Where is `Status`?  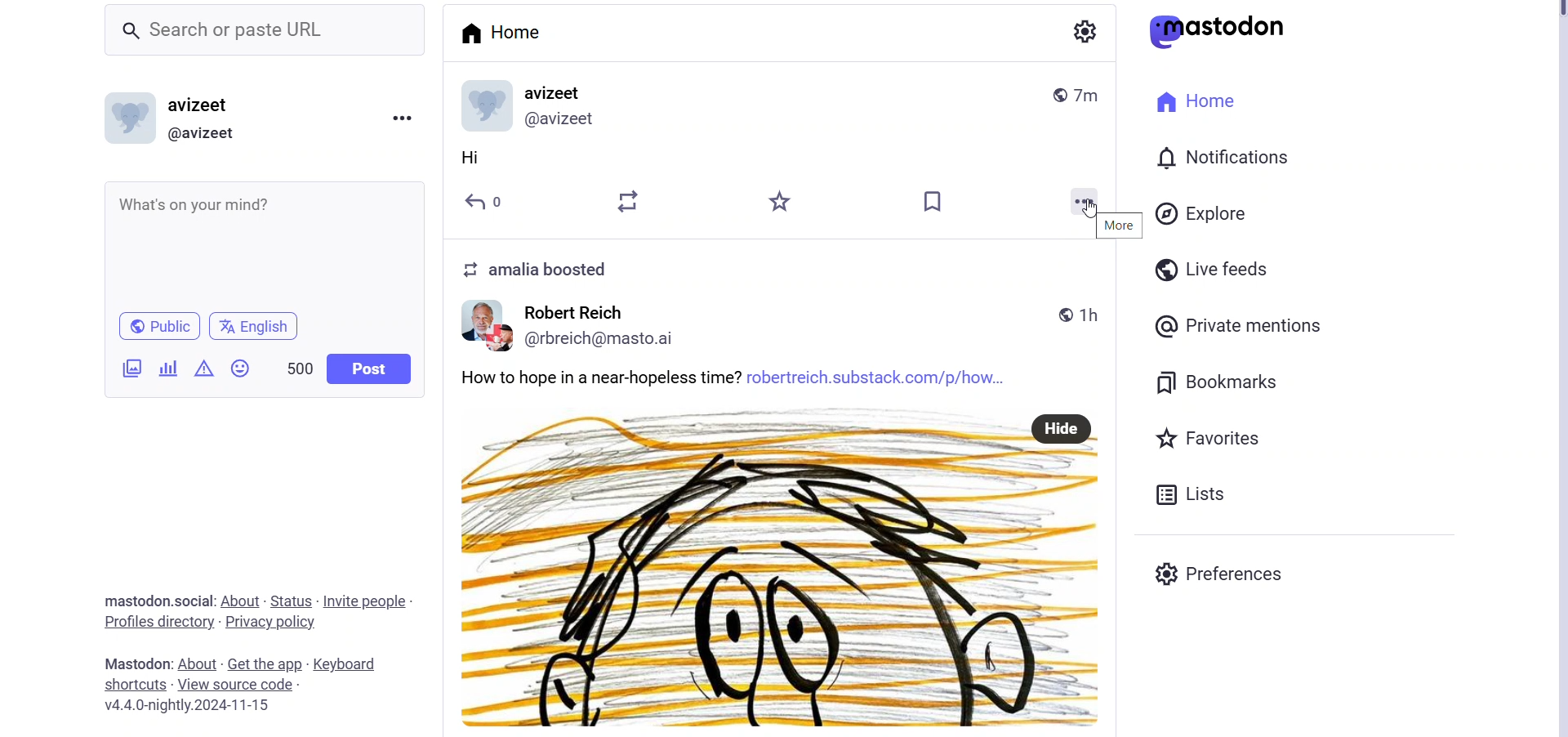
Status is located at coordinates (292, 602).